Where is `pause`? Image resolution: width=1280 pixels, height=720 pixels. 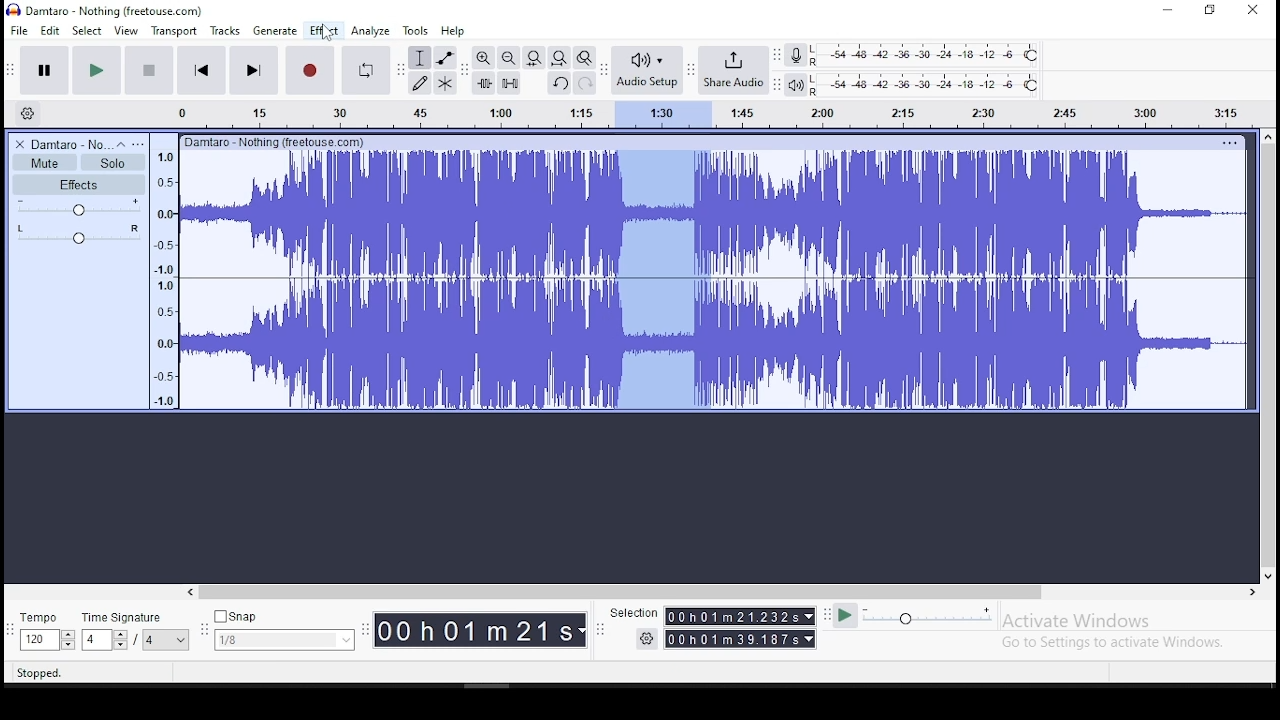
pause is located at coordinates (46, 71).